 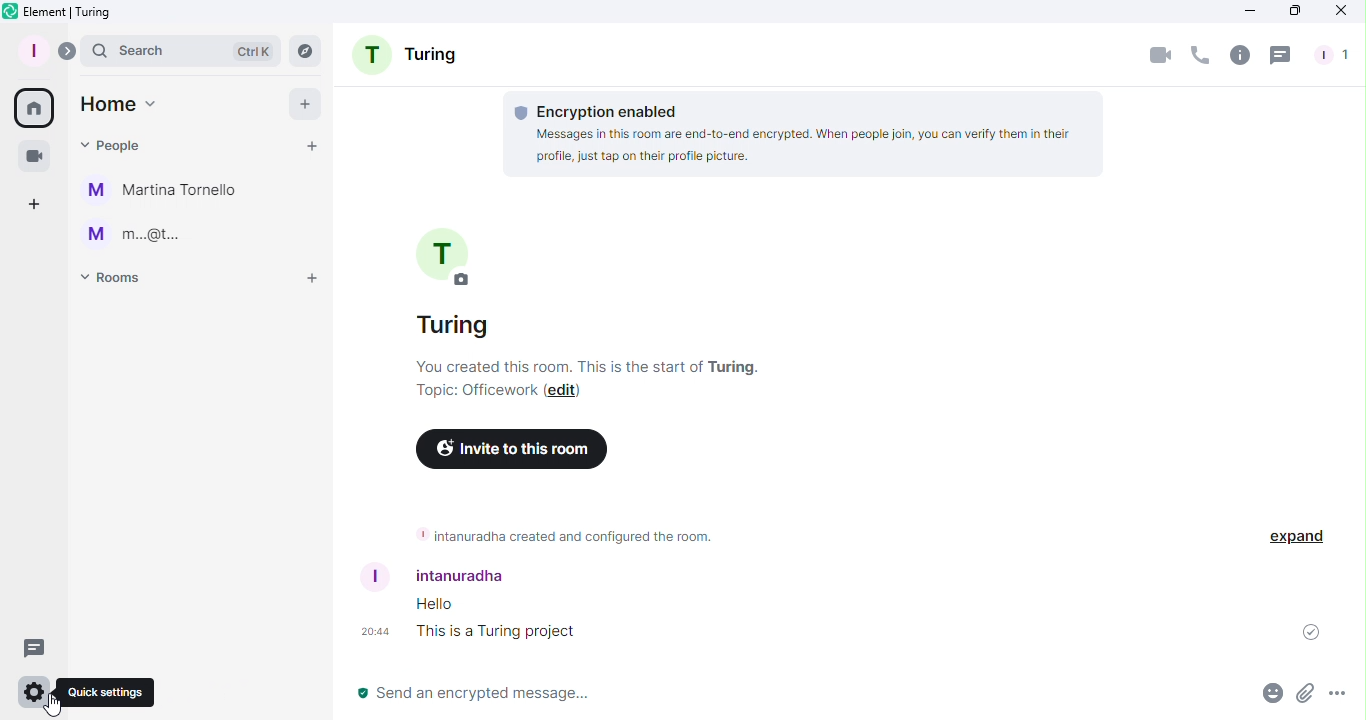 What do you see at coordinates (1249, 12) in the screenshot?
I see `Minimize` at bounding box center [1249, 12].